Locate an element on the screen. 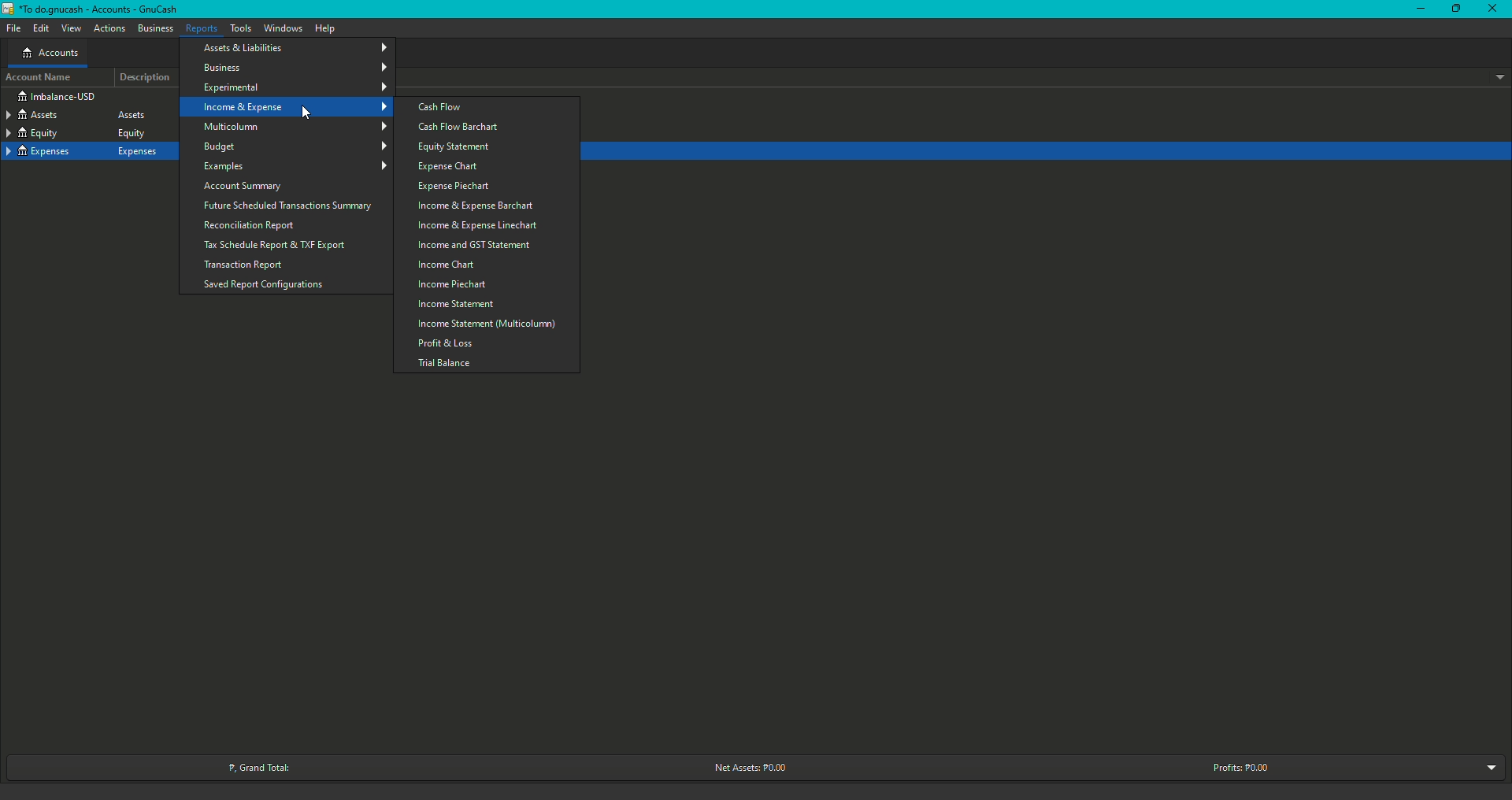  Grand Total is located at coordinates (266, 766).